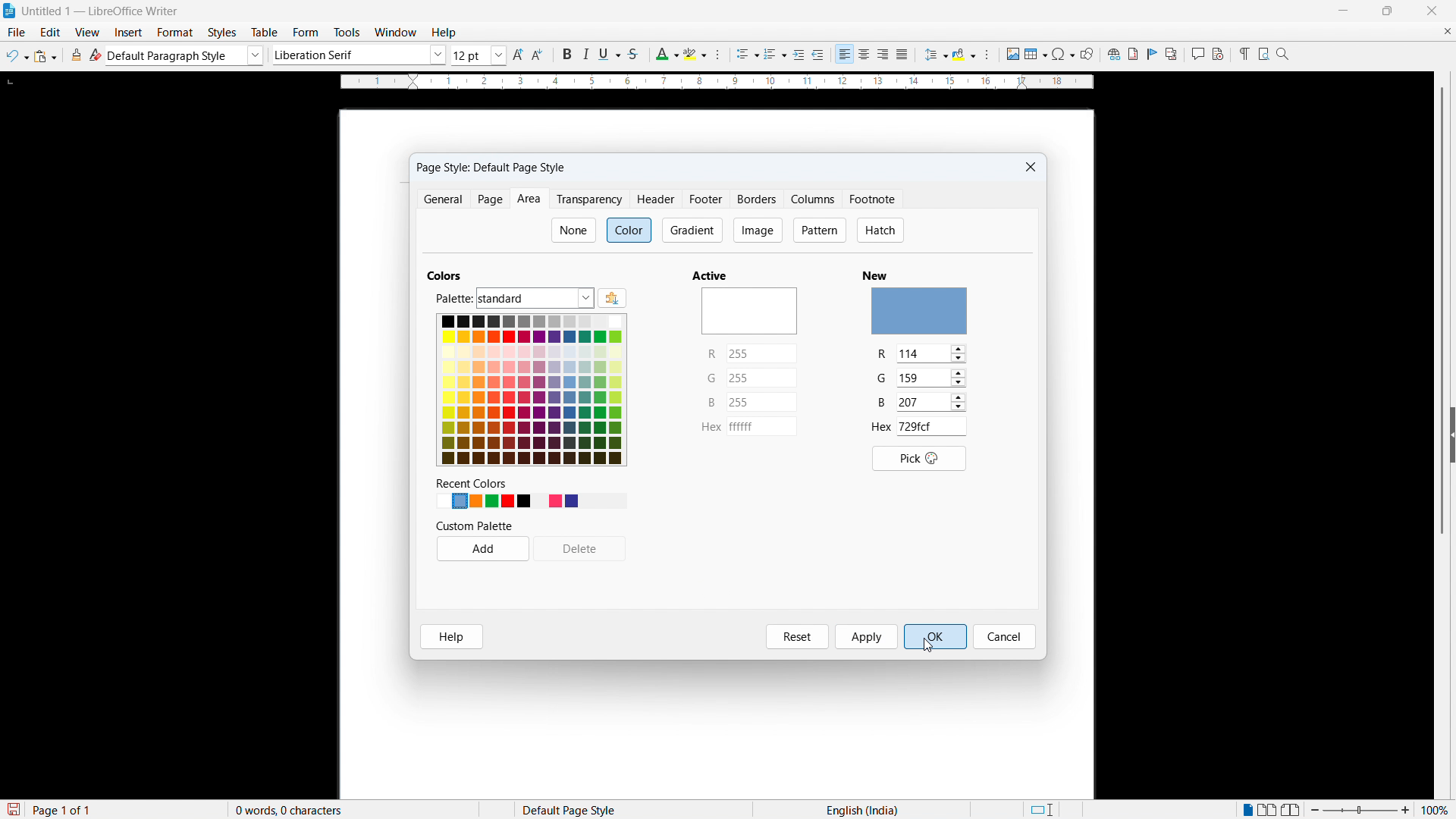  I want to click on Table , so click(266, 33).